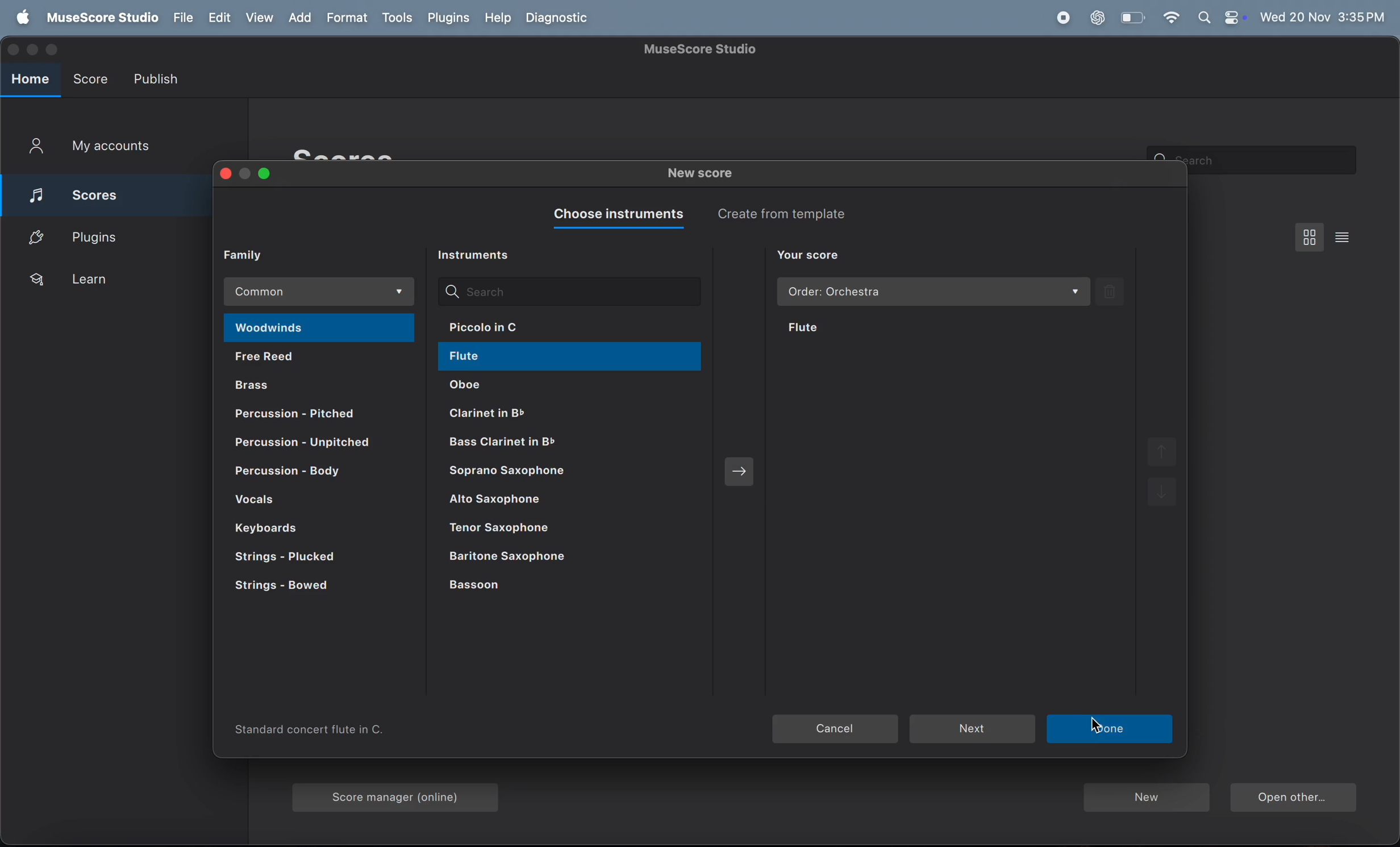 The image size is (1400, 847). What do you see at coordinates (545, 359) in the screenshot?
I see `flute` at bounding box center [545, 359].